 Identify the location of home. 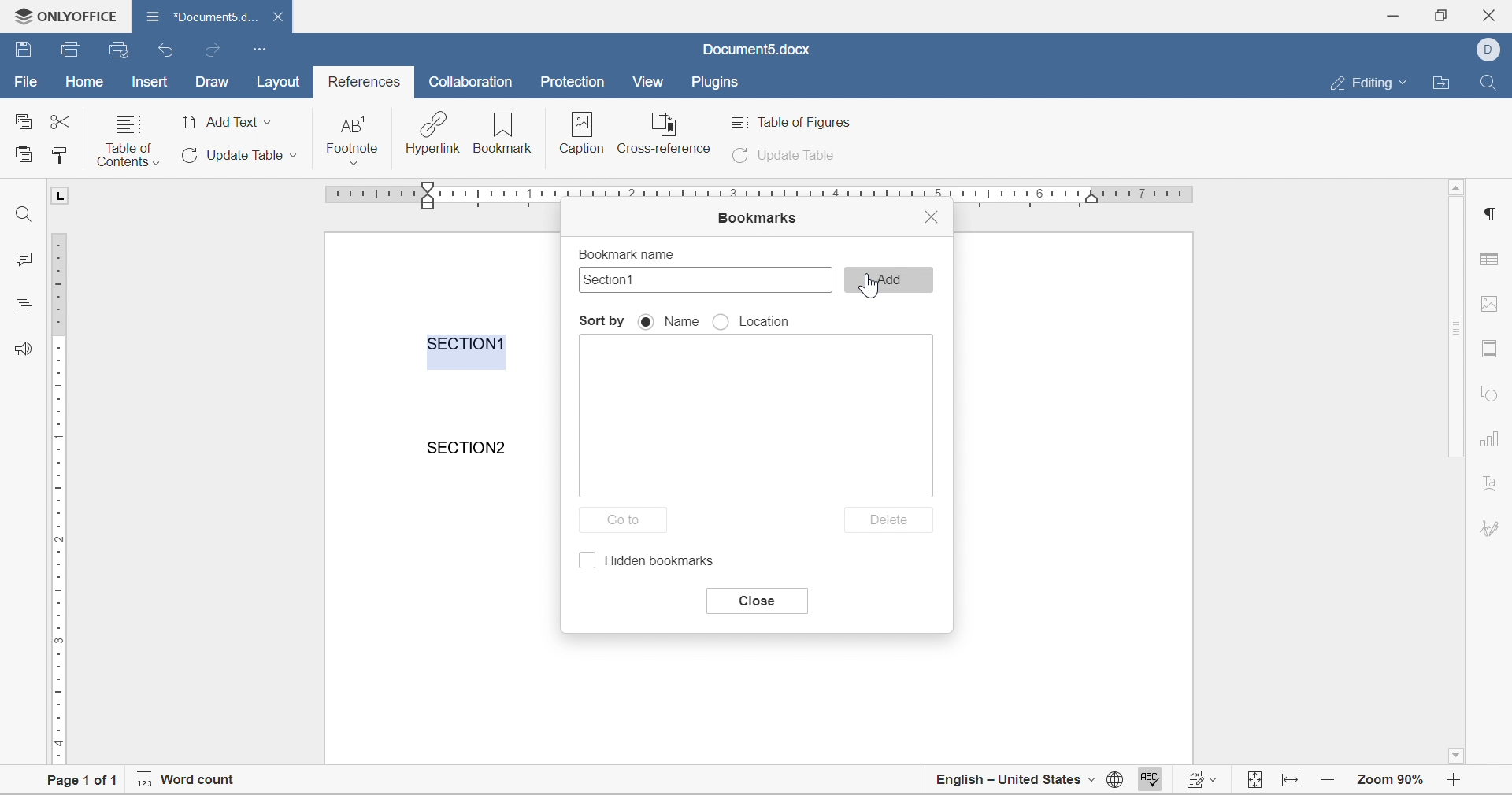
(86, 81).